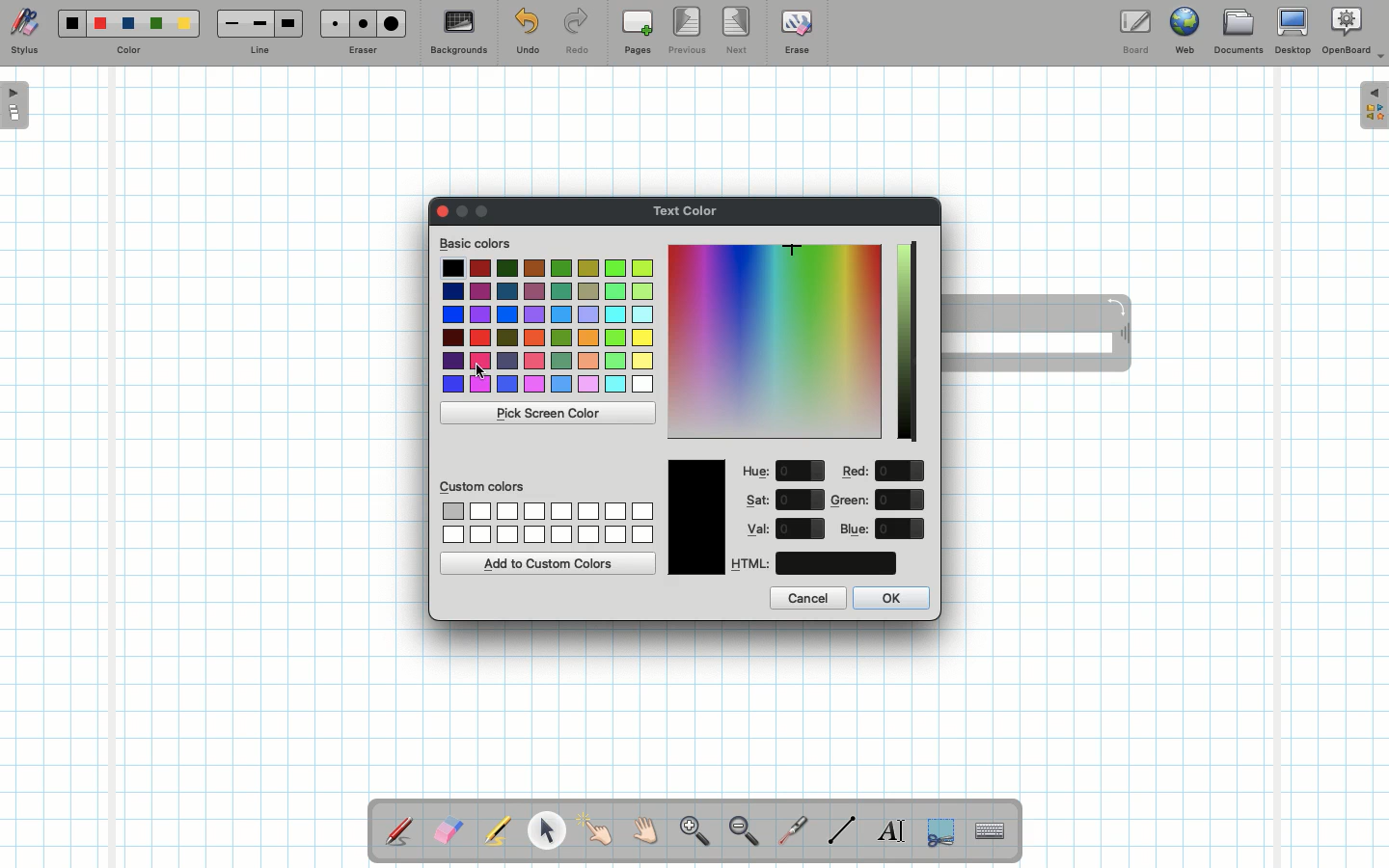 The width and height of the screenshot is (1389, 868). I want to click on Erase, so click(796, 31).